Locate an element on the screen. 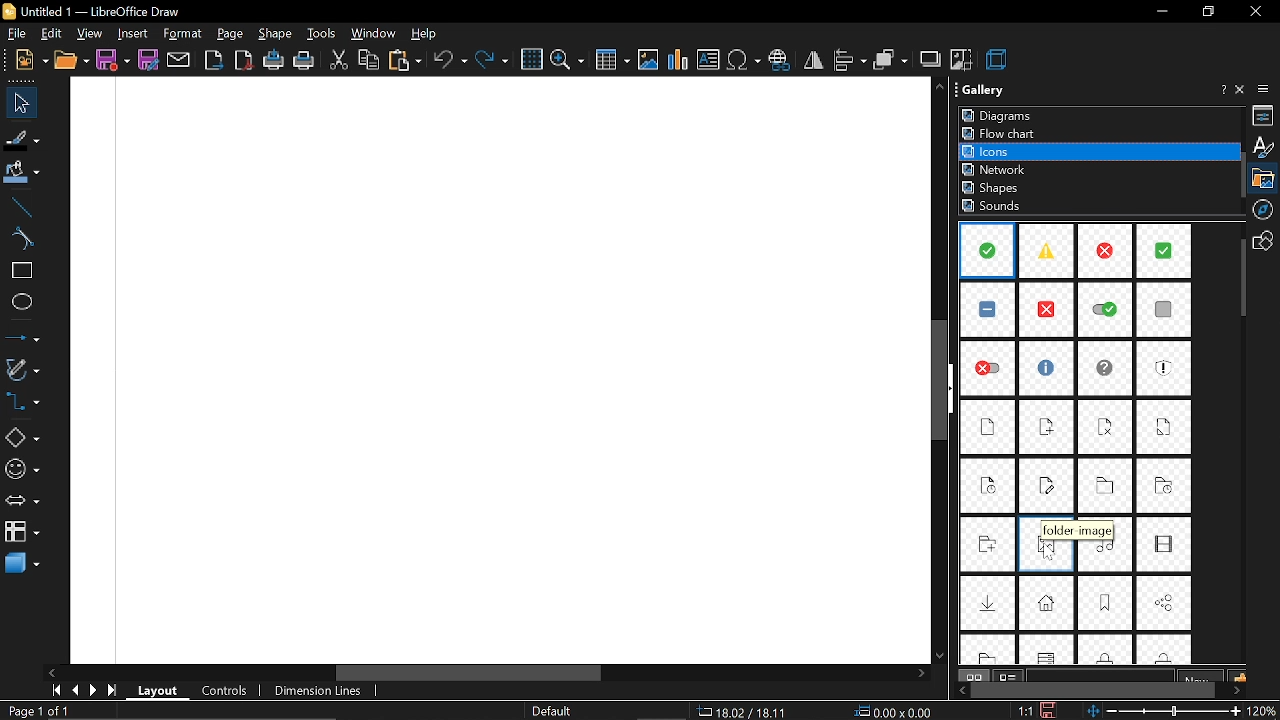 This screenshot has width=1280, height=720. go to first page is located at coordinates (53, 690).